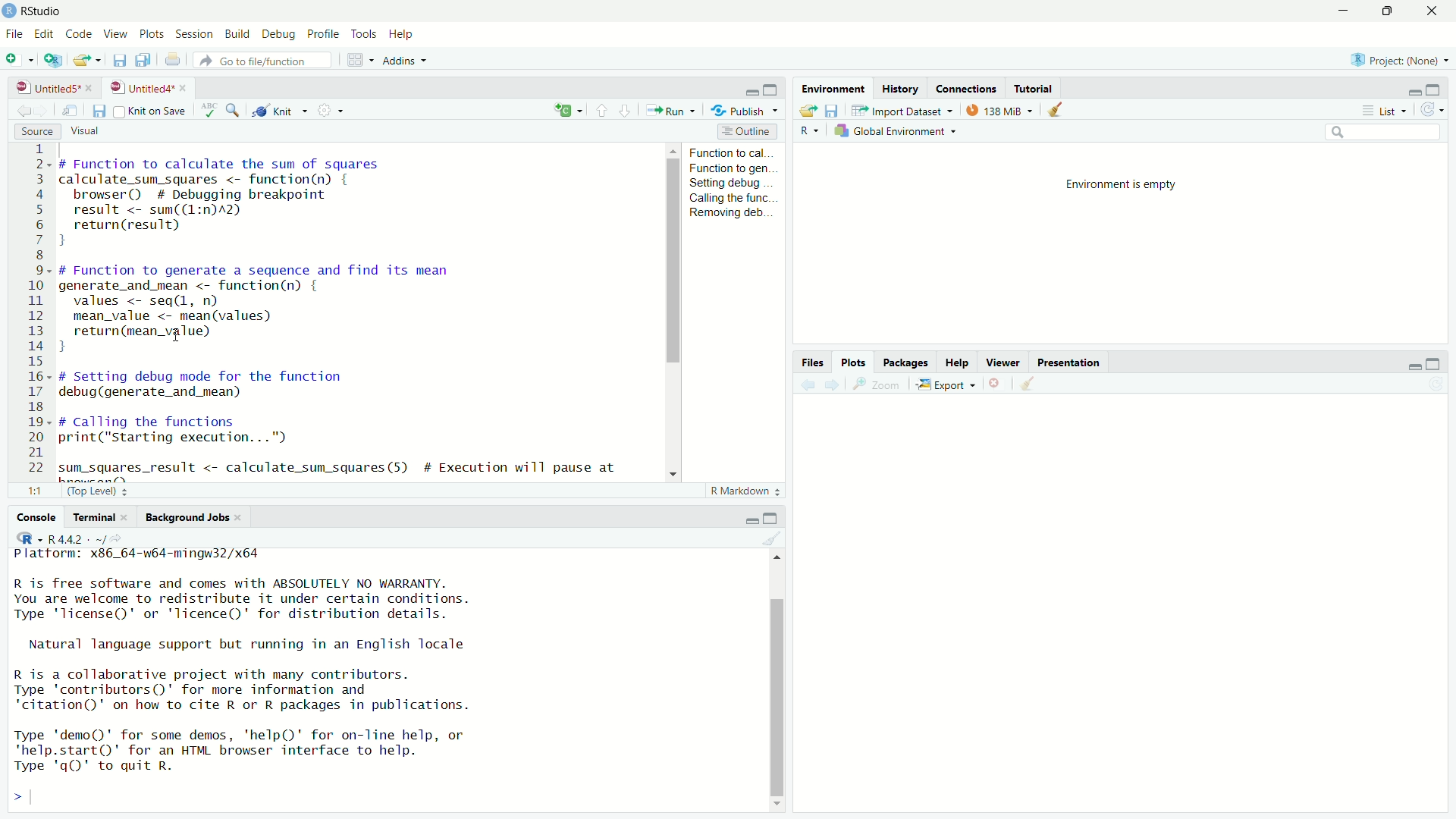 The height and width of the screenshot is (819, 1456). What do you see at coordinates (45, 108) in the screenshot?
I see `go forward to the next source location` at bounding box center [45, 108].